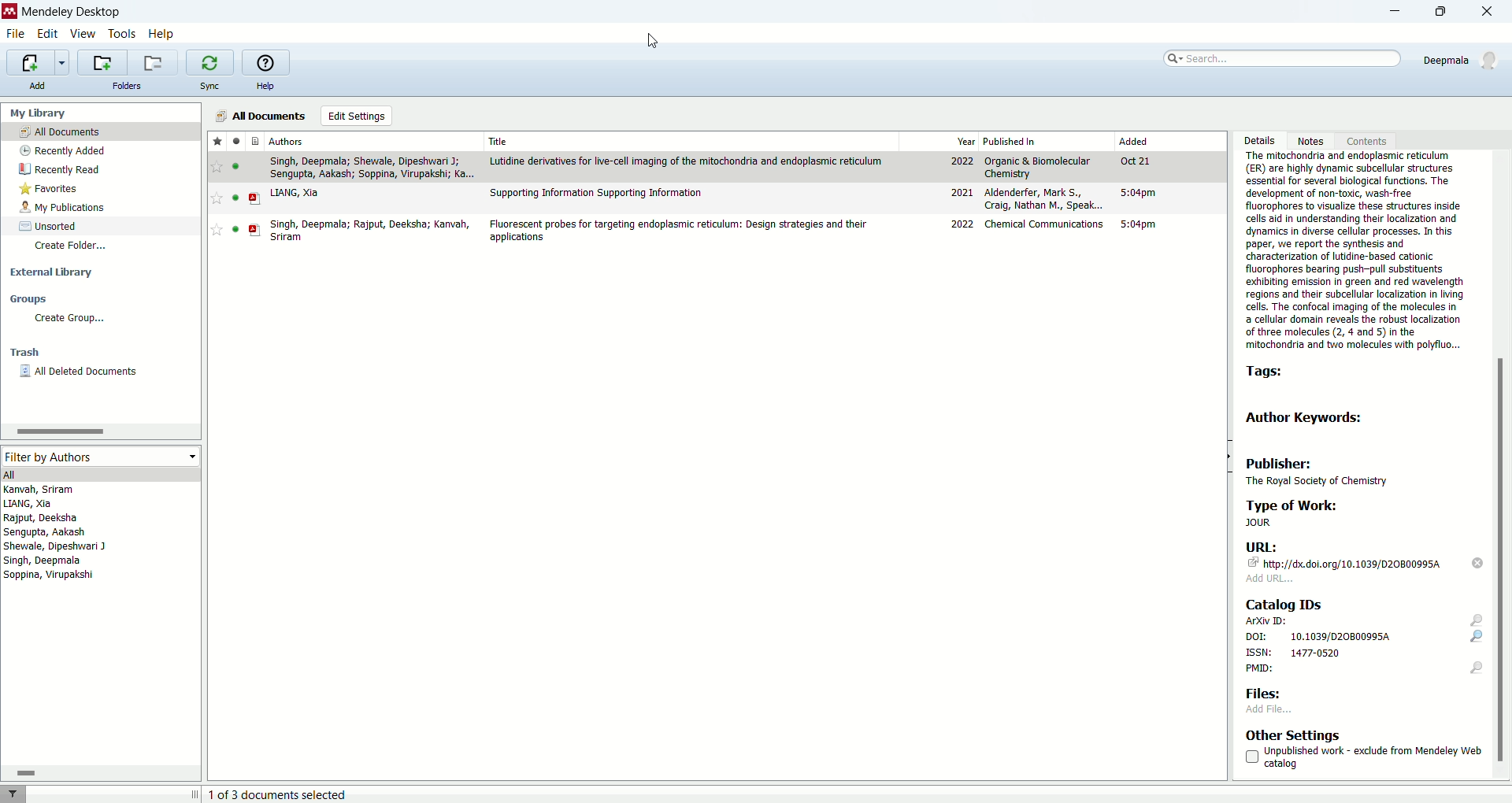 The image size is (1512, 803). Describe the element at coordinates (81, 34) in the screenshot. I see `view` at that location.